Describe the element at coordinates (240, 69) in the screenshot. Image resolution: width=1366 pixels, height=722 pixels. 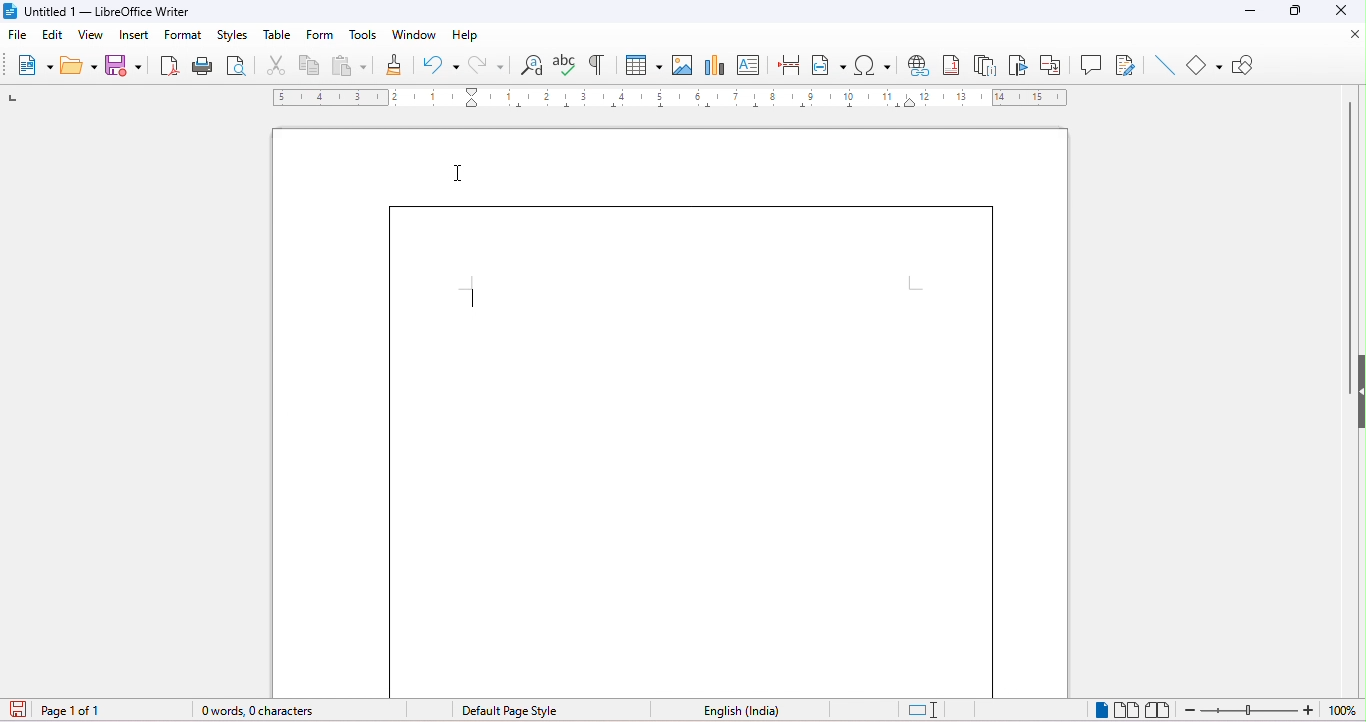
I see `print preview` at that location.